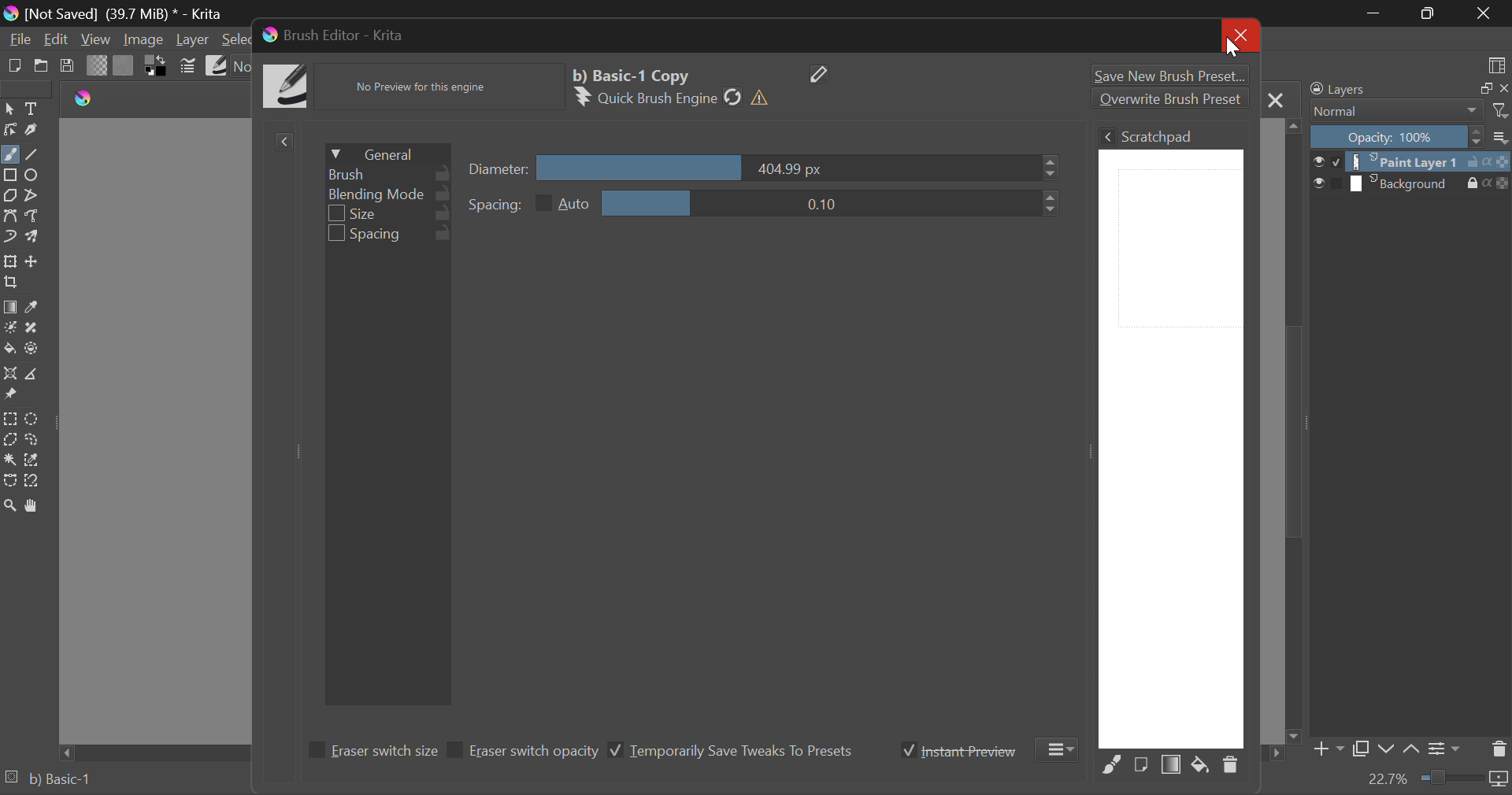  I want to click on Save New Brush preset, so click(1167, 73).